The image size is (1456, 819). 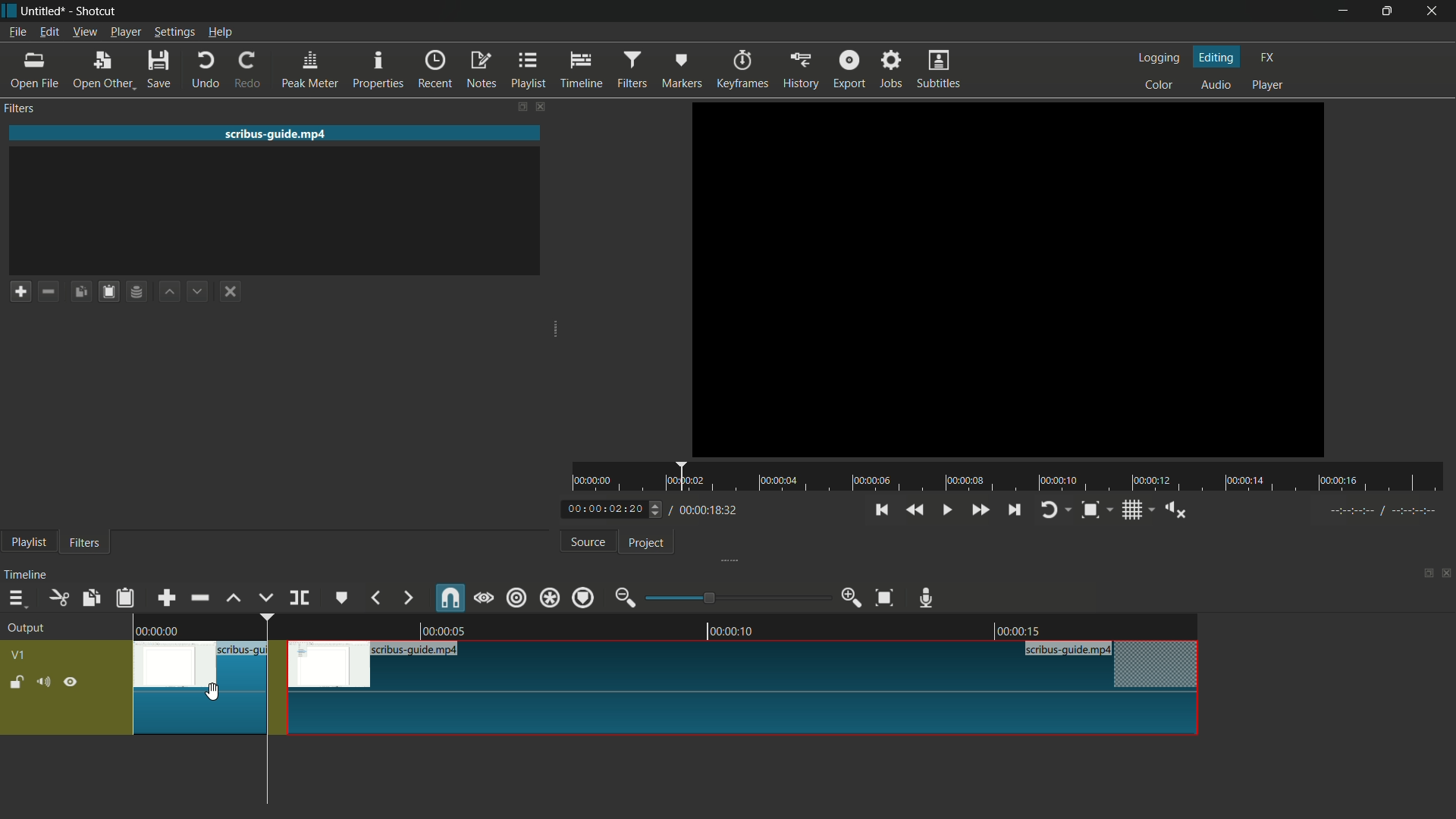 What do you see at coordinates (1389, 11) in the screenshot?
I see `maximize` at bounding box center [1389, 11].